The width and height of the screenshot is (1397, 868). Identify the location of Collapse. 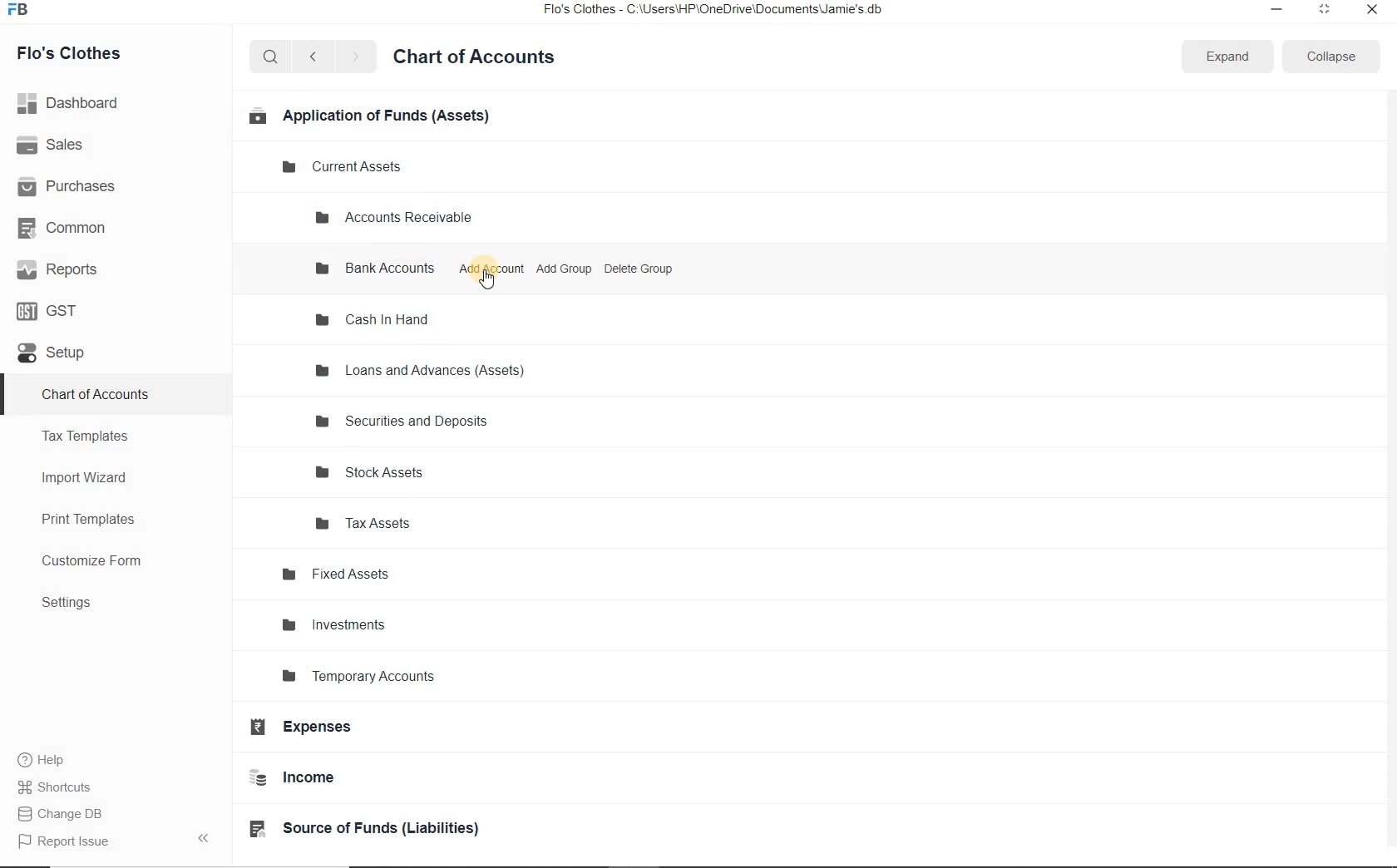
(1330, 56).